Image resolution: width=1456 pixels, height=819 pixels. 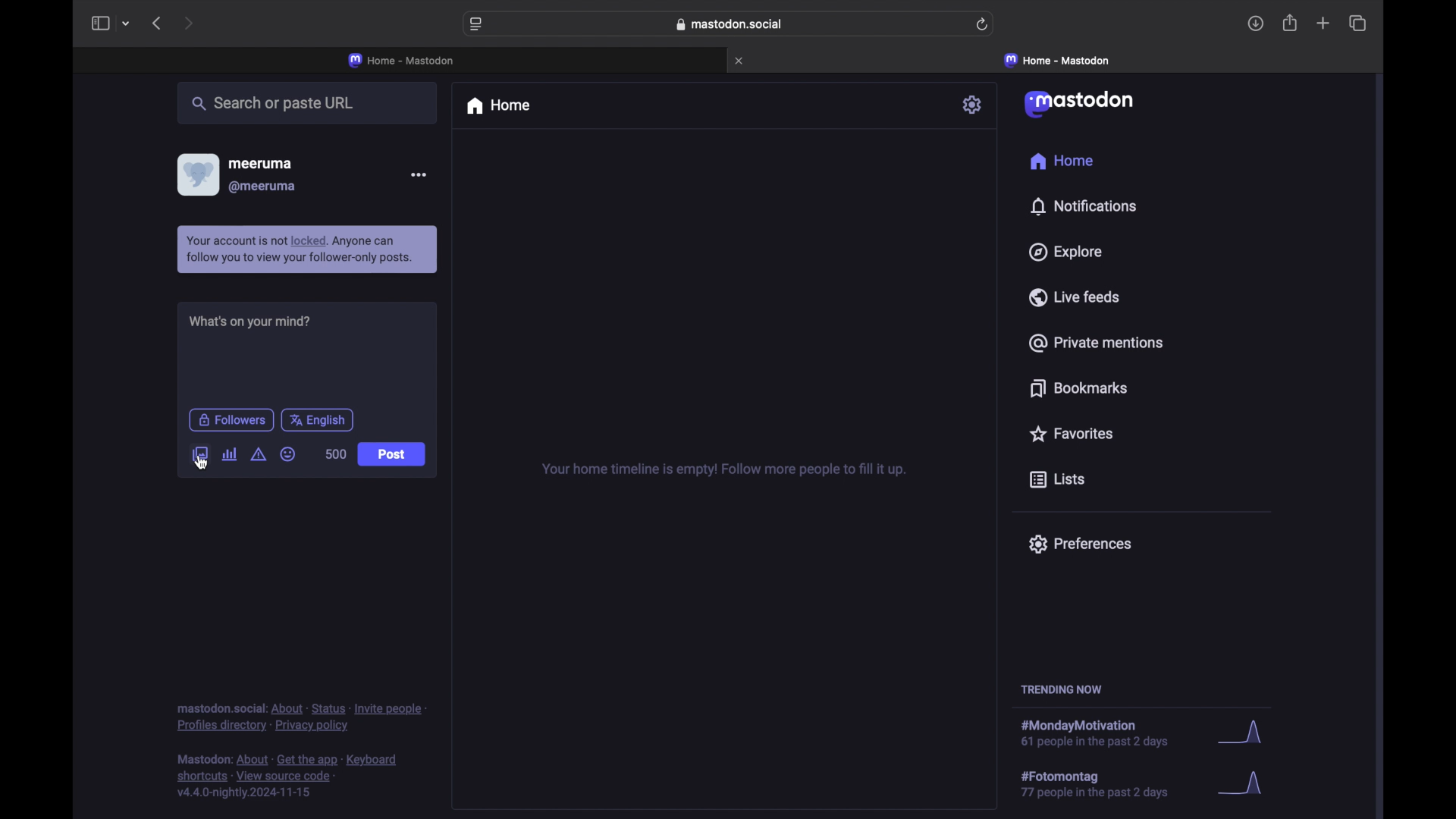 What do you see at coordinates (974, 105) in the screenshot?
I see `settings` at bounding box center [974, 105].